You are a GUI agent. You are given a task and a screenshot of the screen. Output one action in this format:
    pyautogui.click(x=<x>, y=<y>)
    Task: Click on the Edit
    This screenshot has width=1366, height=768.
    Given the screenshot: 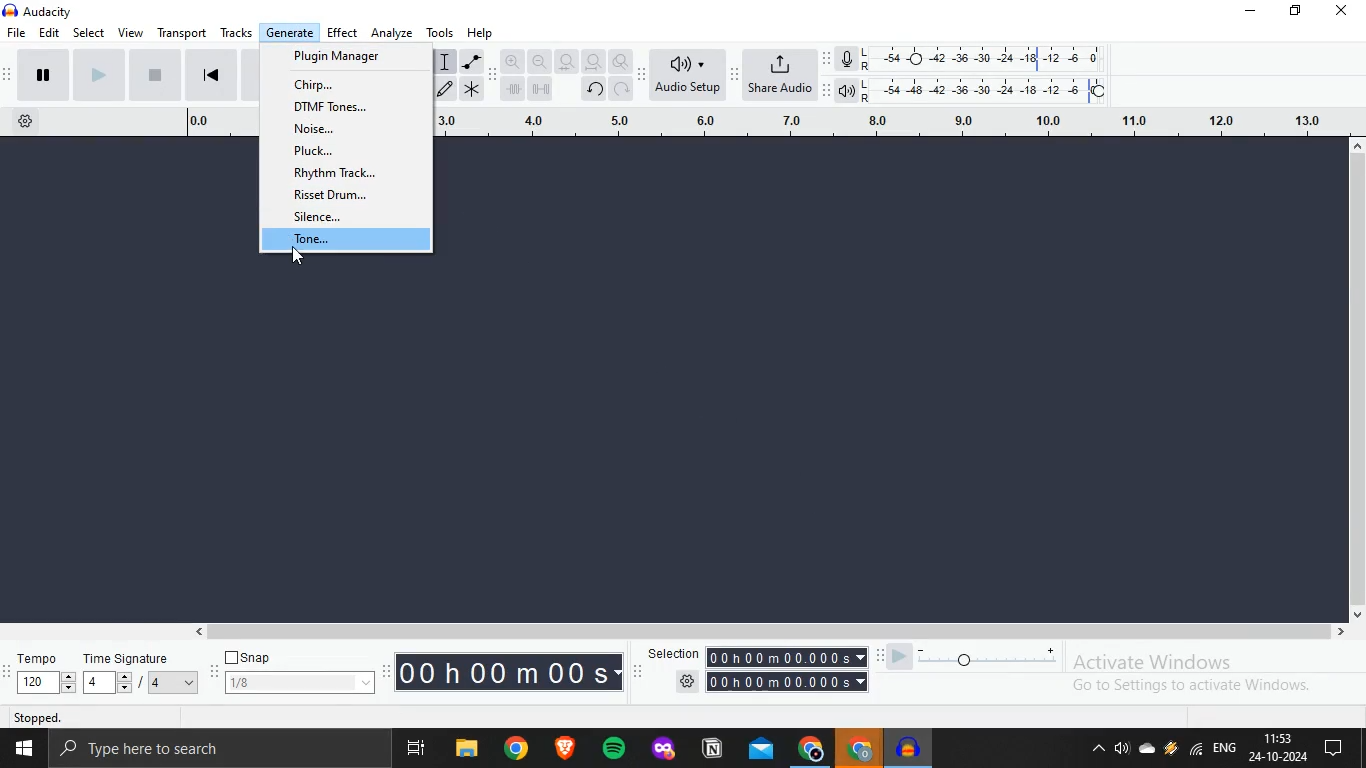 What is the action you would take?
    pyautogui.click(x=52, y=33)
    